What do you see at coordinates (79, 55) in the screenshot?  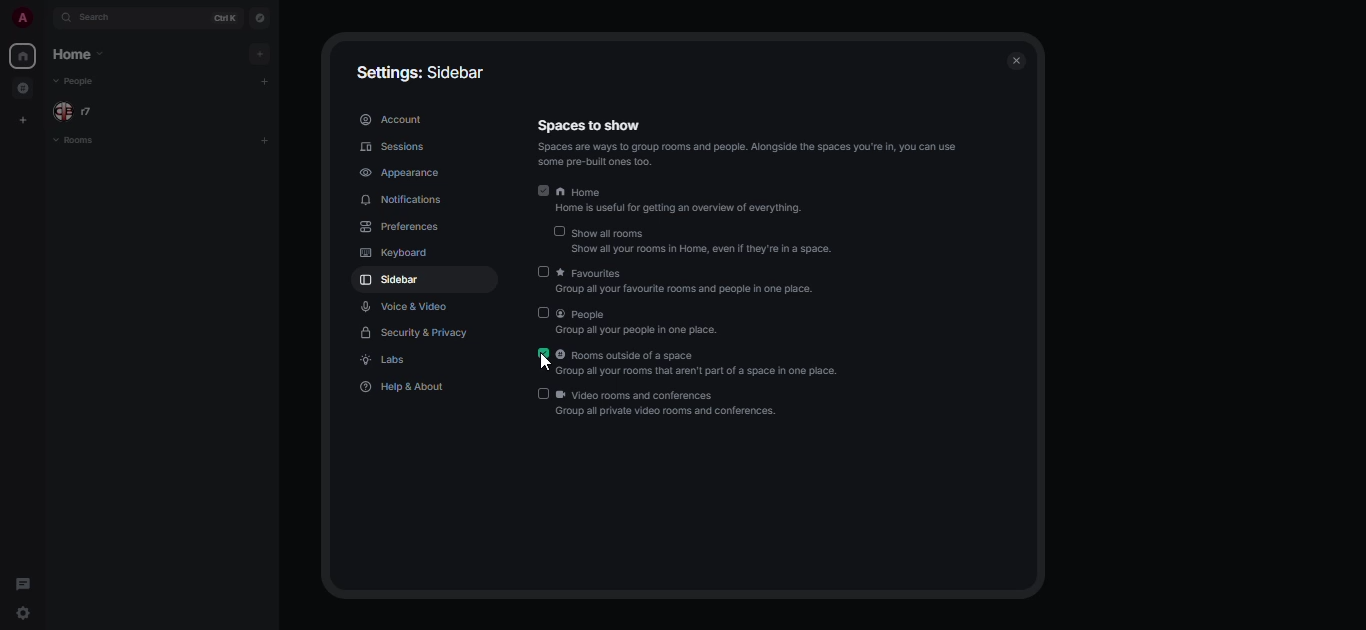 I see `home` at bounding box center [79, 55].